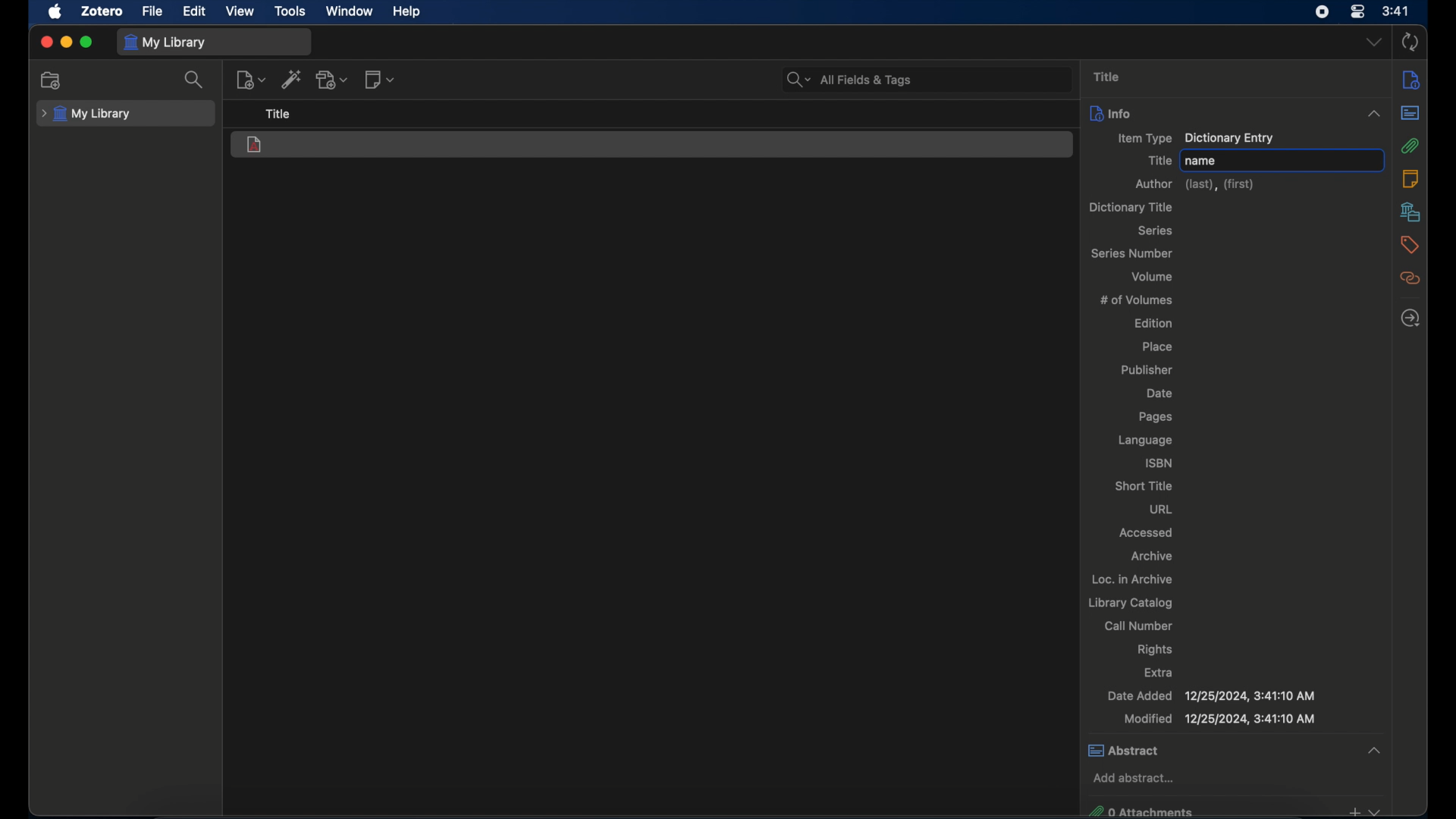 This screenshot has width=1456, height=819. I want to click on archive, so click(1153, 557).